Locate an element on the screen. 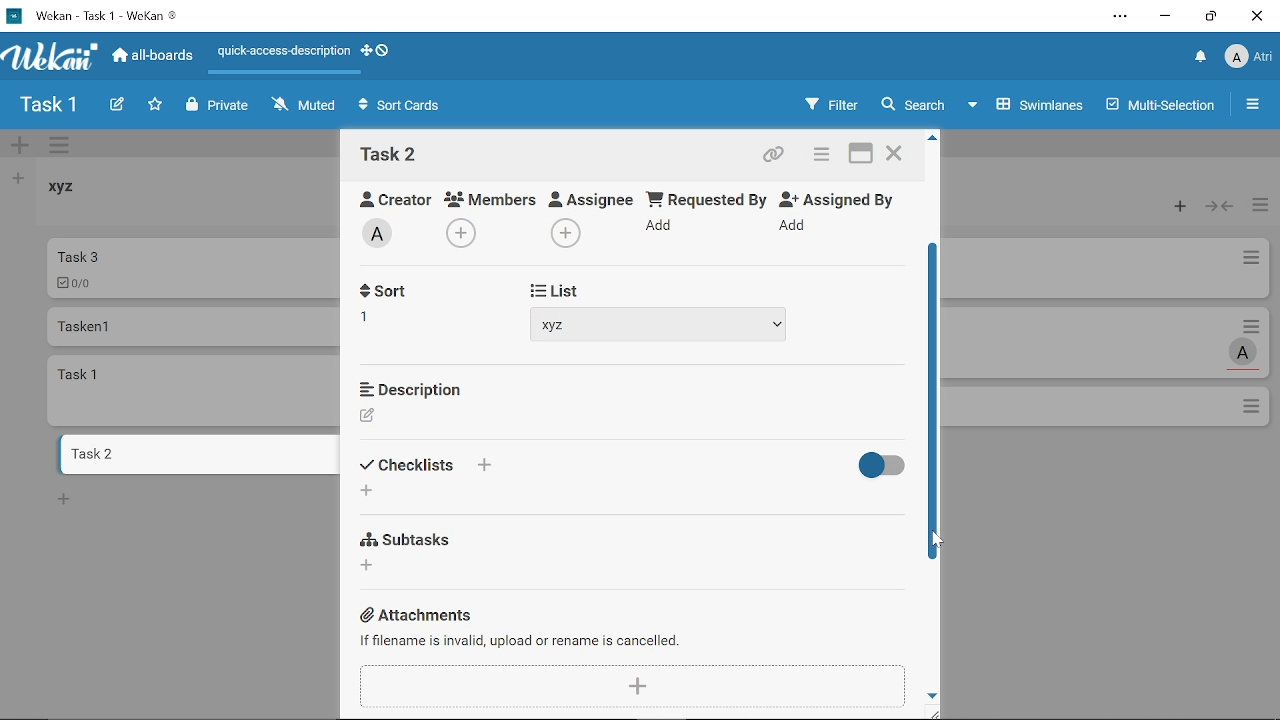 The width and height of the screenshot is (1280, 720). Creator is located at coordinates (368, 416).